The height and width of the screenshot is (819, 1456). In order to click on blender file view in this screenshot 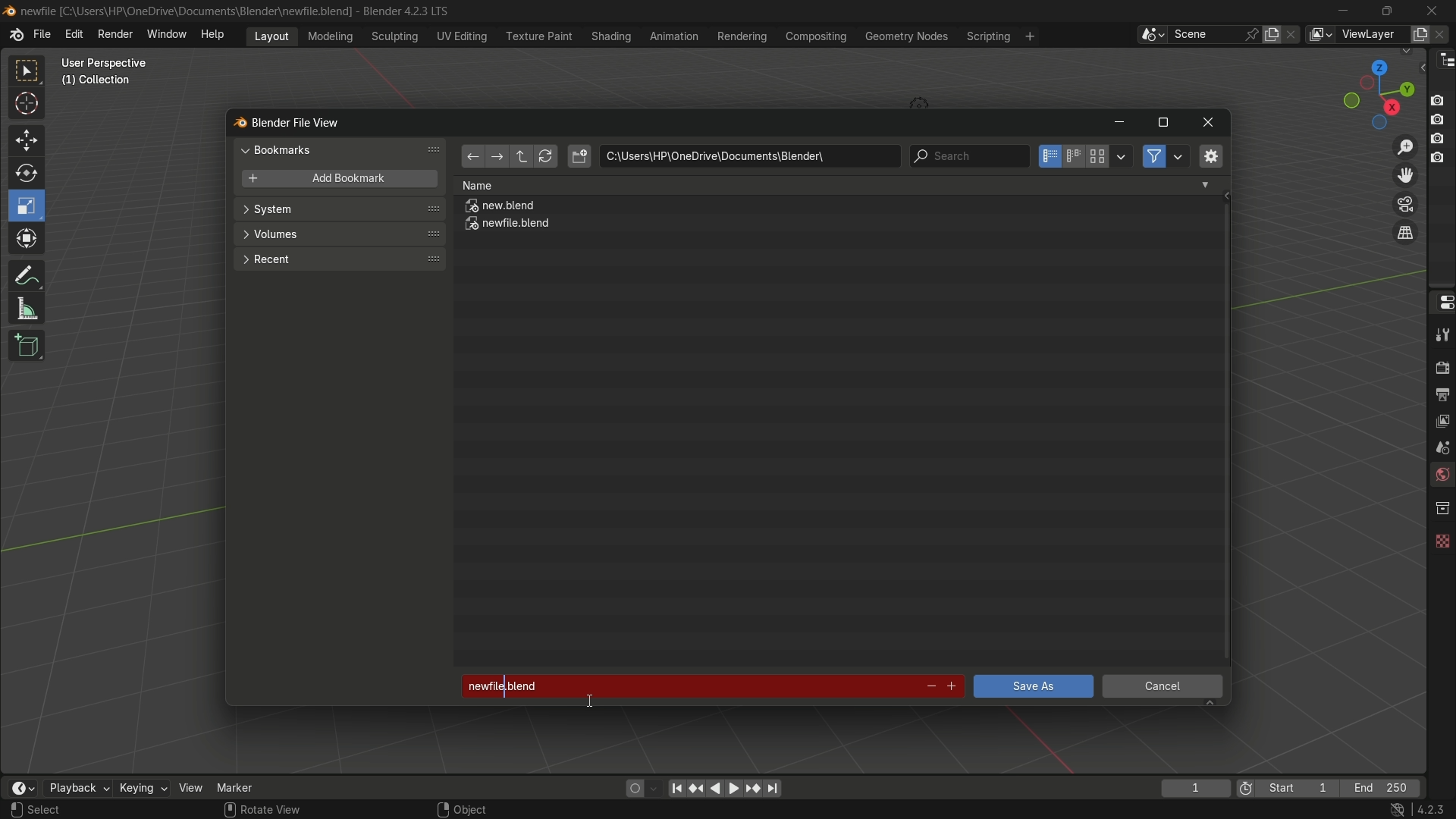, I will do `click(298, 121)`.